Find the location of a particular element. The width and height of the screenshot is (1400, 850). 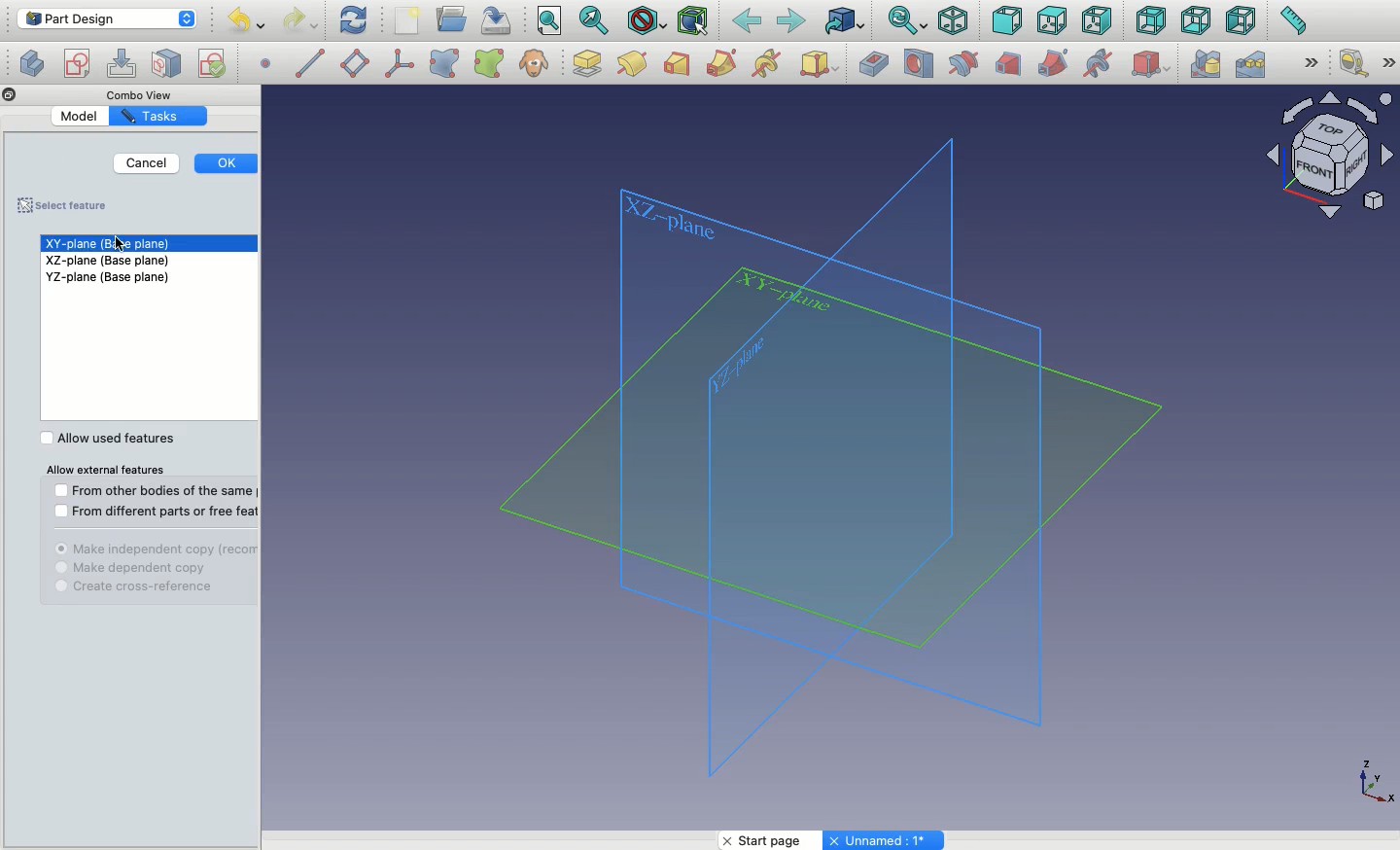

Map sketch to face is located at coordinates (167, 64).